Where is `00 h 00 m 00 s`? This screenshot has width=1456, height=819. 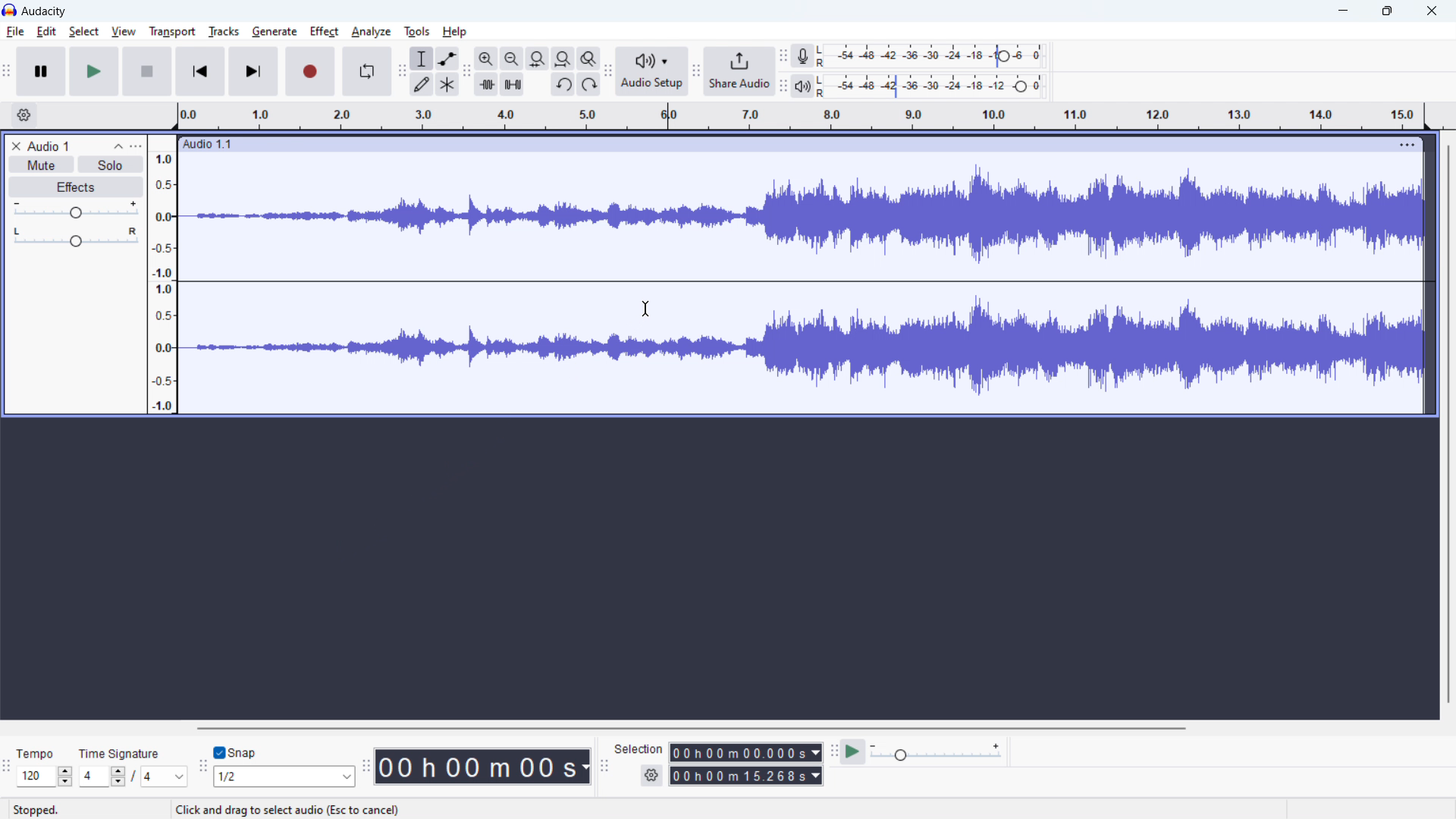 00 h 00 m 00 s is located at coordinates (482, 763).